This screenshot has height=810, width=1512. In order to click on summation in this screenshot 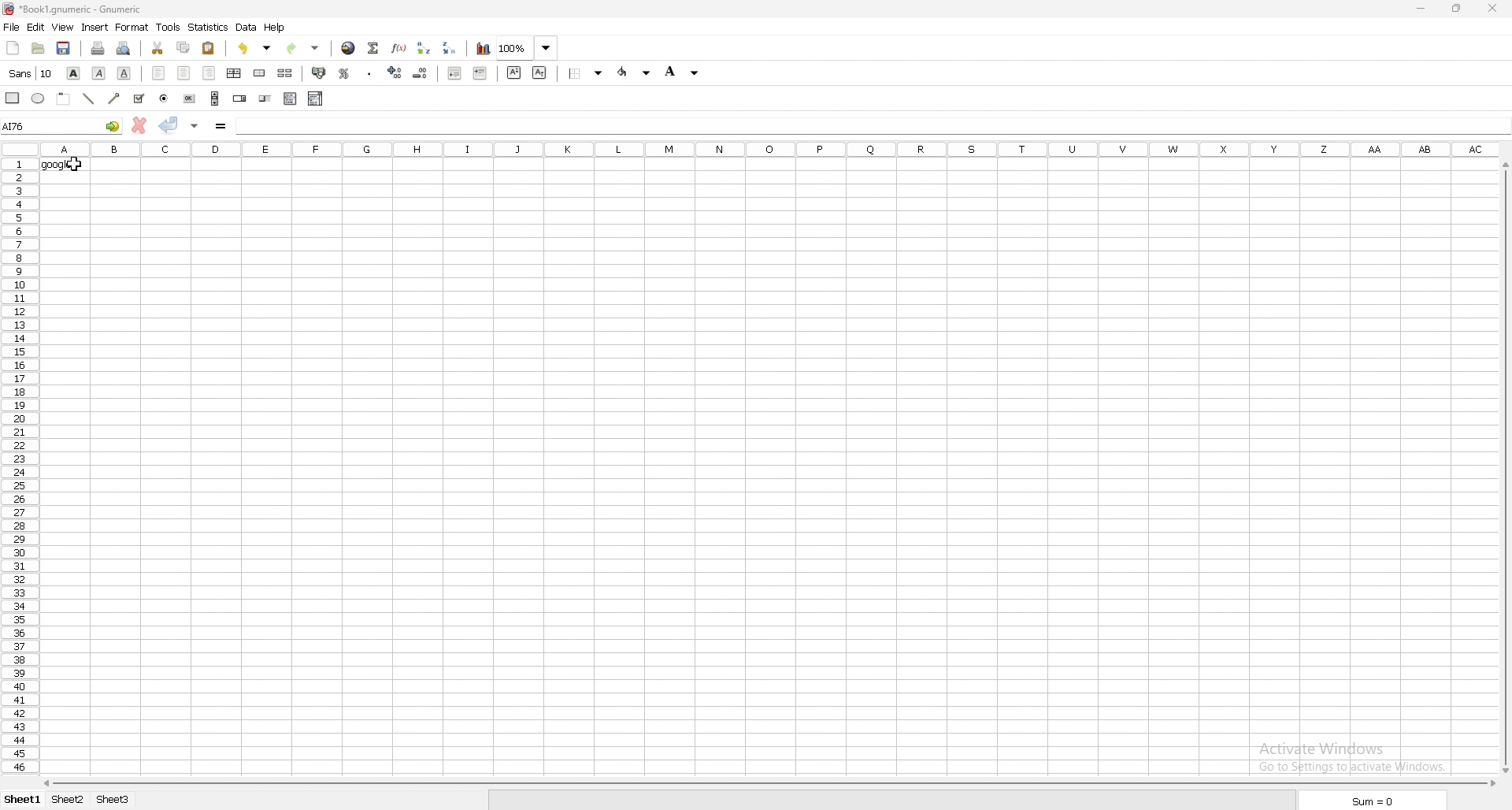, I will do `click(373, 49)`.